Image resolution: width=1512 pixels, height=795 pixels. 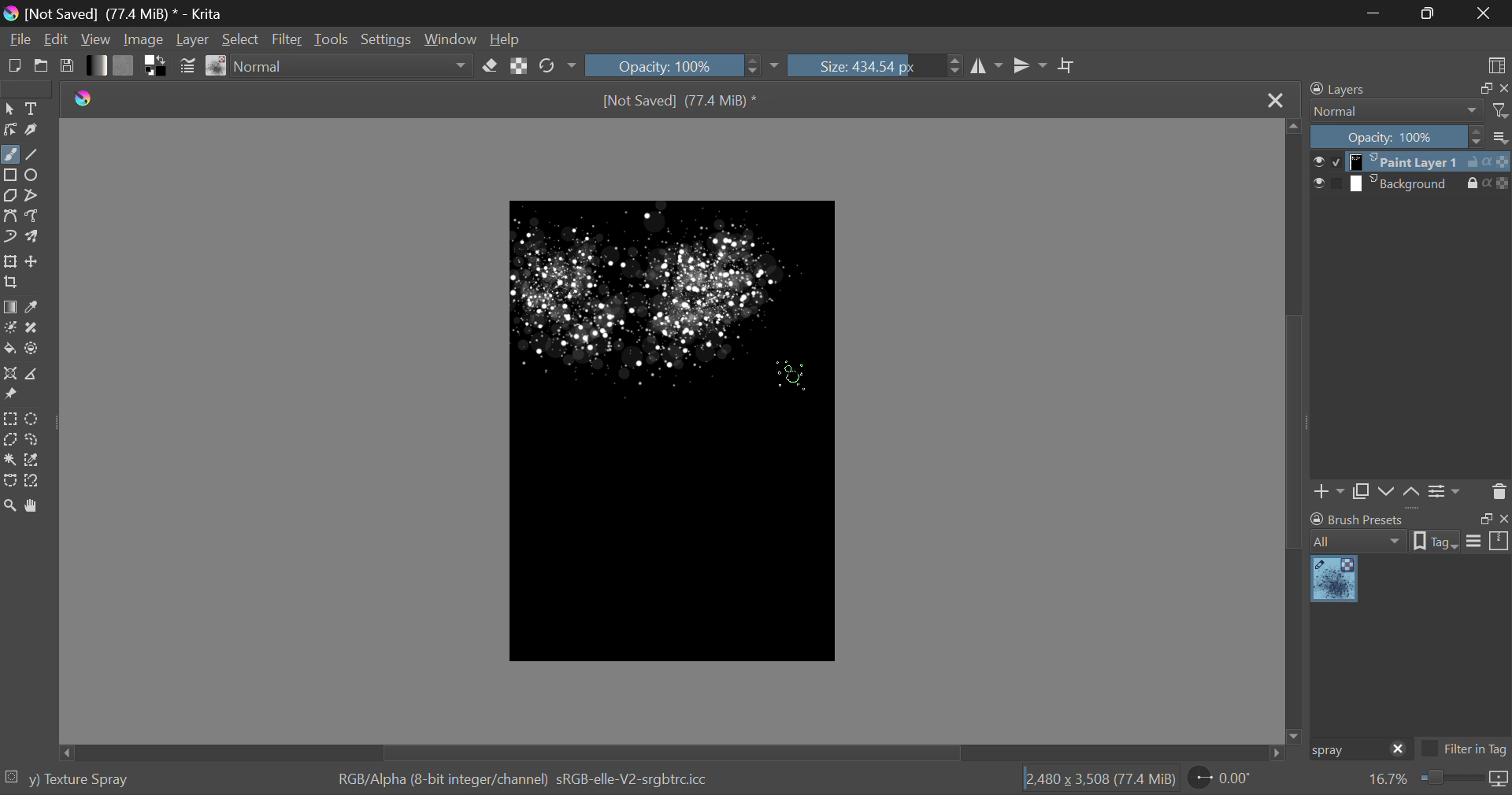 I want to click on Brush Presets, so click(x=217, y=66).